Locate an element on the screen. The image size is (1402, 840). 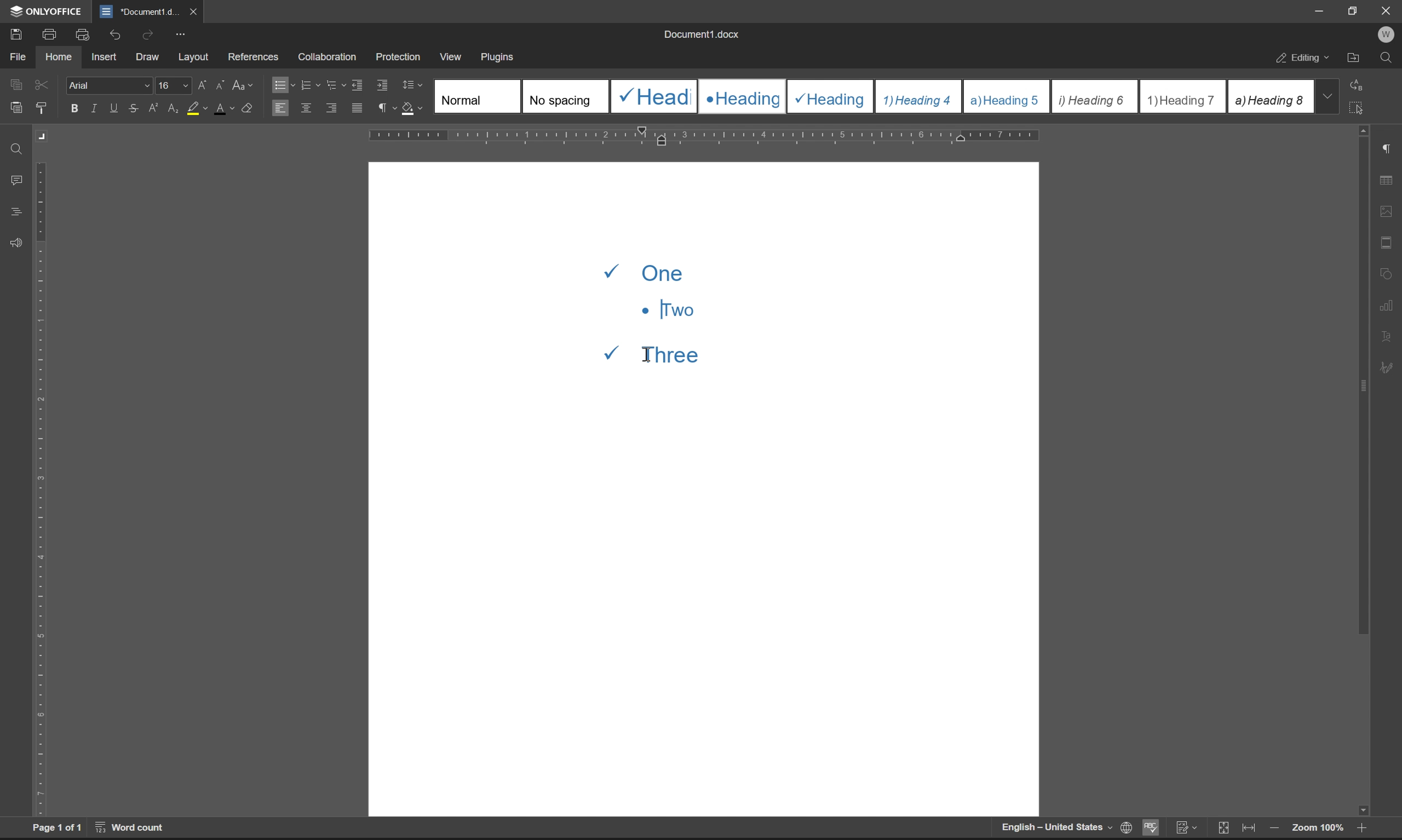
feedback & support is located at coordinates (17, 244).